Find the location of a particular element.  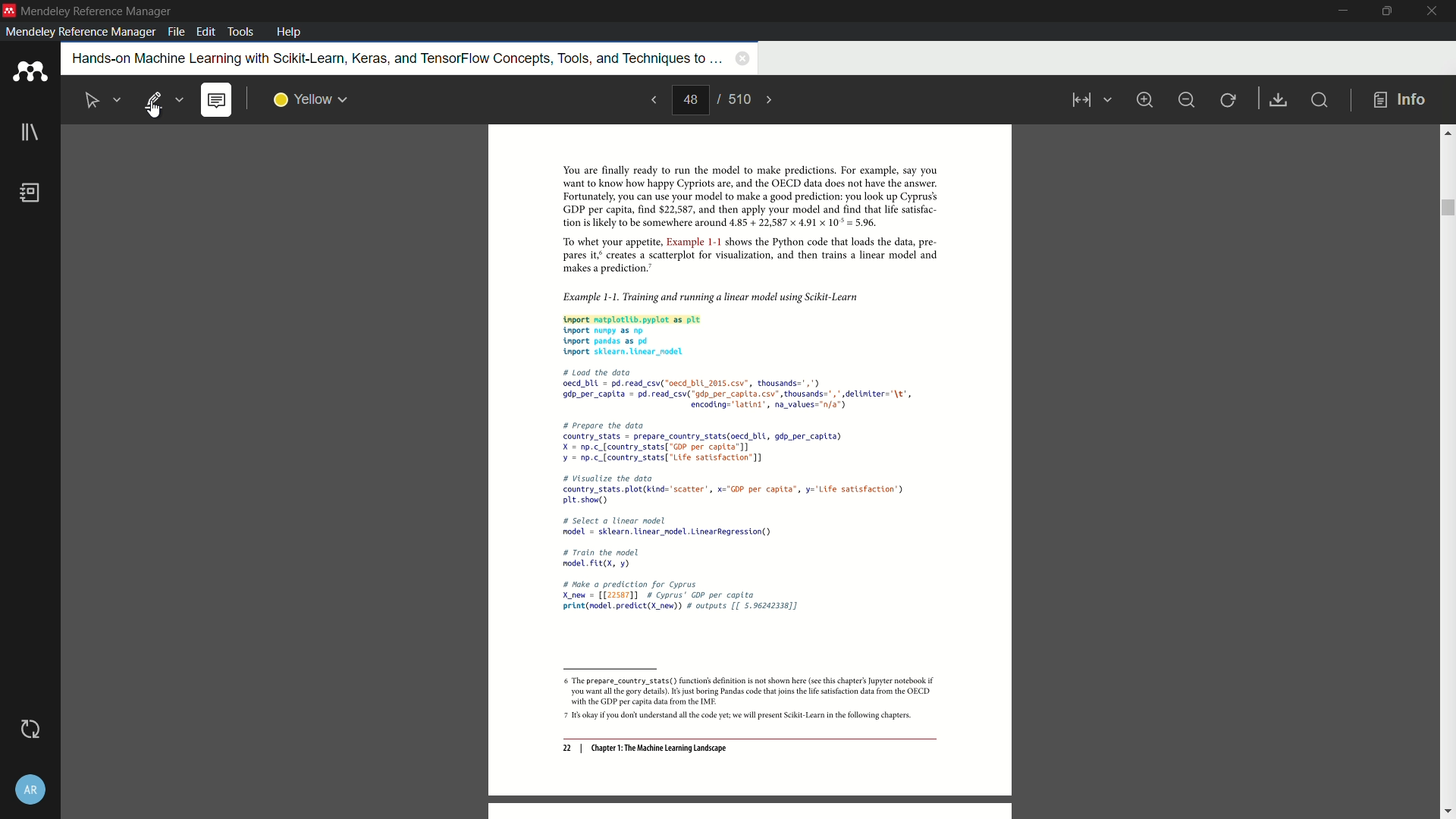

close book is located at coordinates (742, 58).